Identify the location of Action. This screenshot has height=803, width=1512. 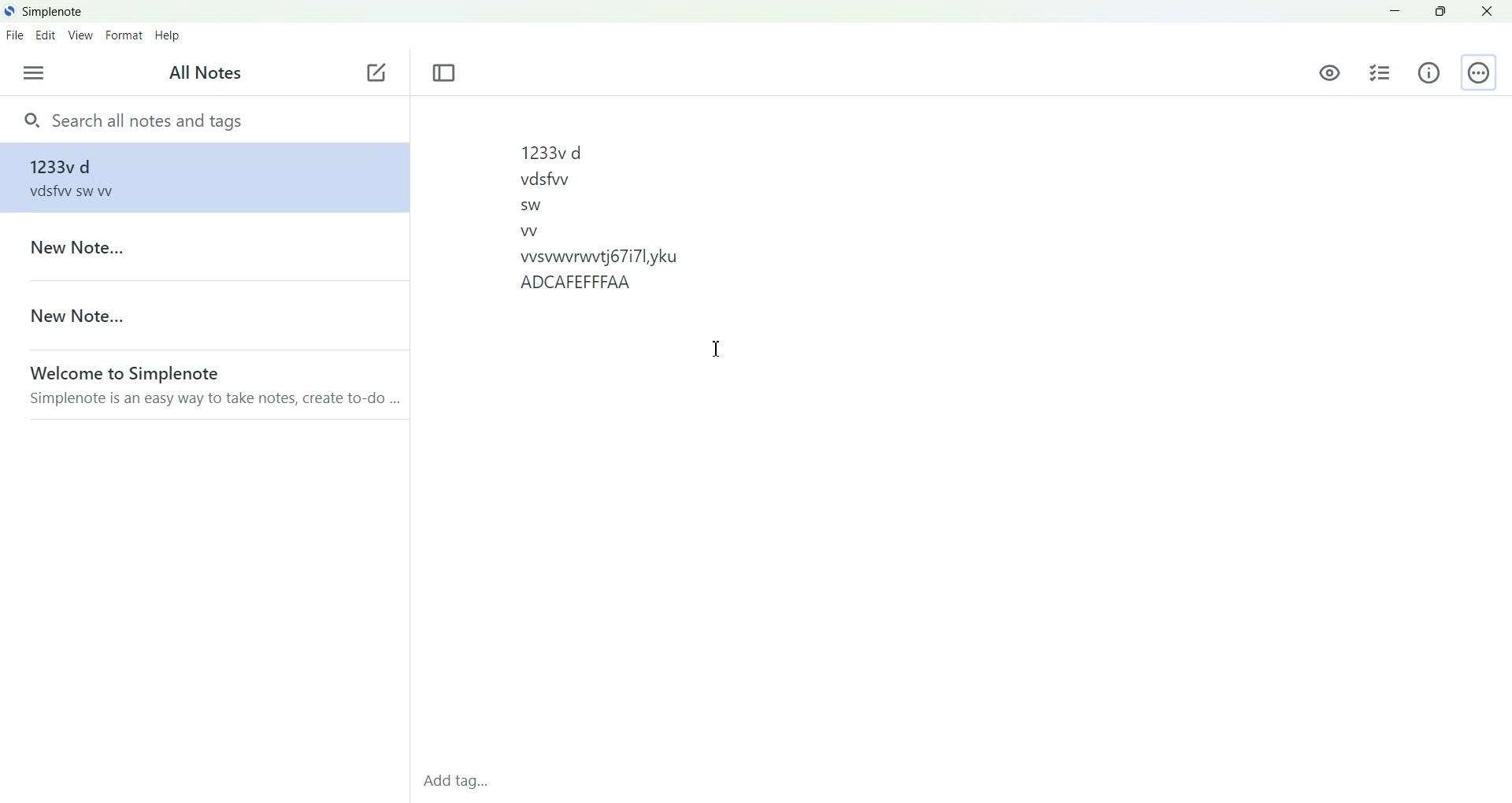
(1478, 72).